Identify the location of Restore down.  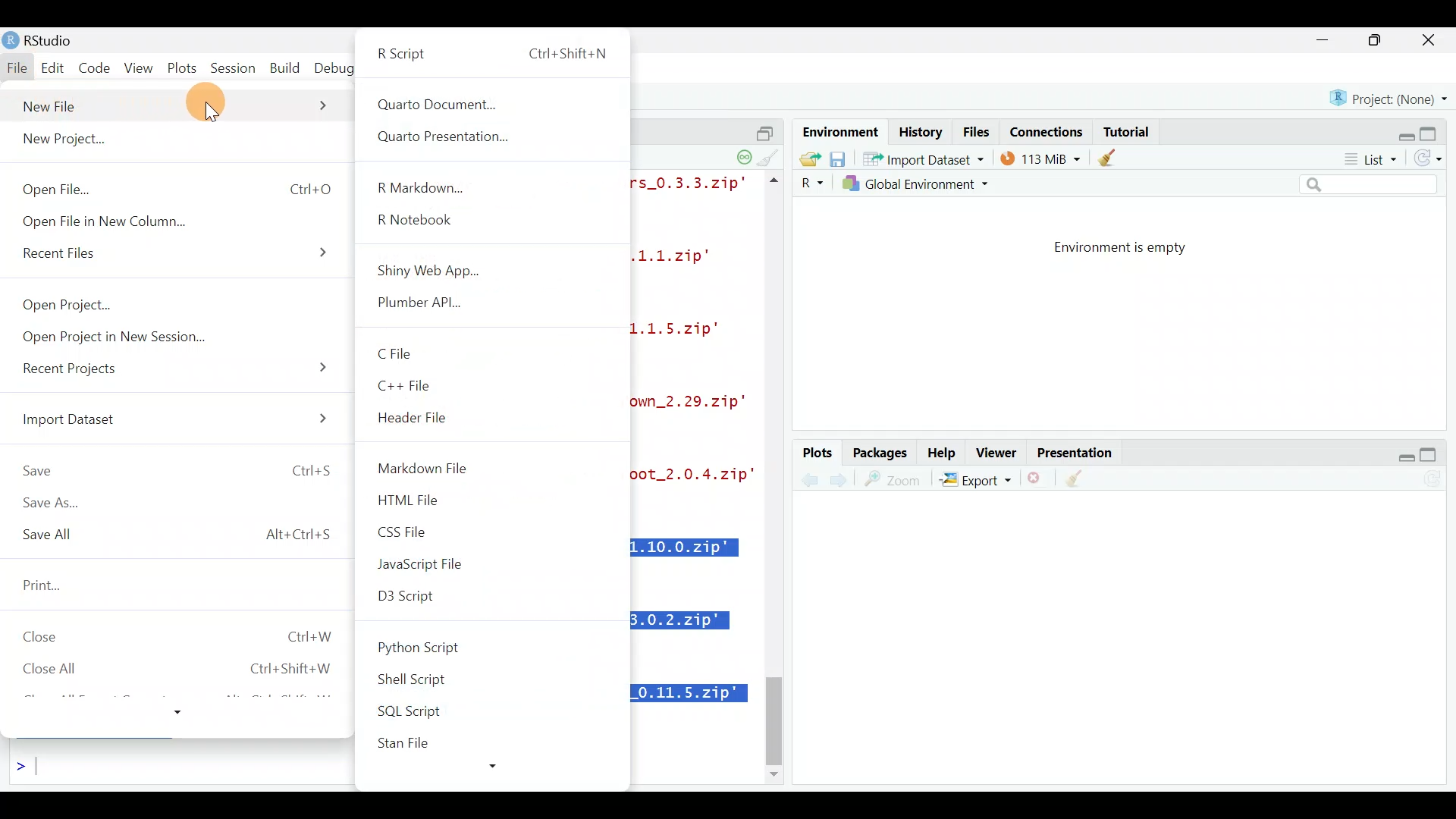
(1398, 455).